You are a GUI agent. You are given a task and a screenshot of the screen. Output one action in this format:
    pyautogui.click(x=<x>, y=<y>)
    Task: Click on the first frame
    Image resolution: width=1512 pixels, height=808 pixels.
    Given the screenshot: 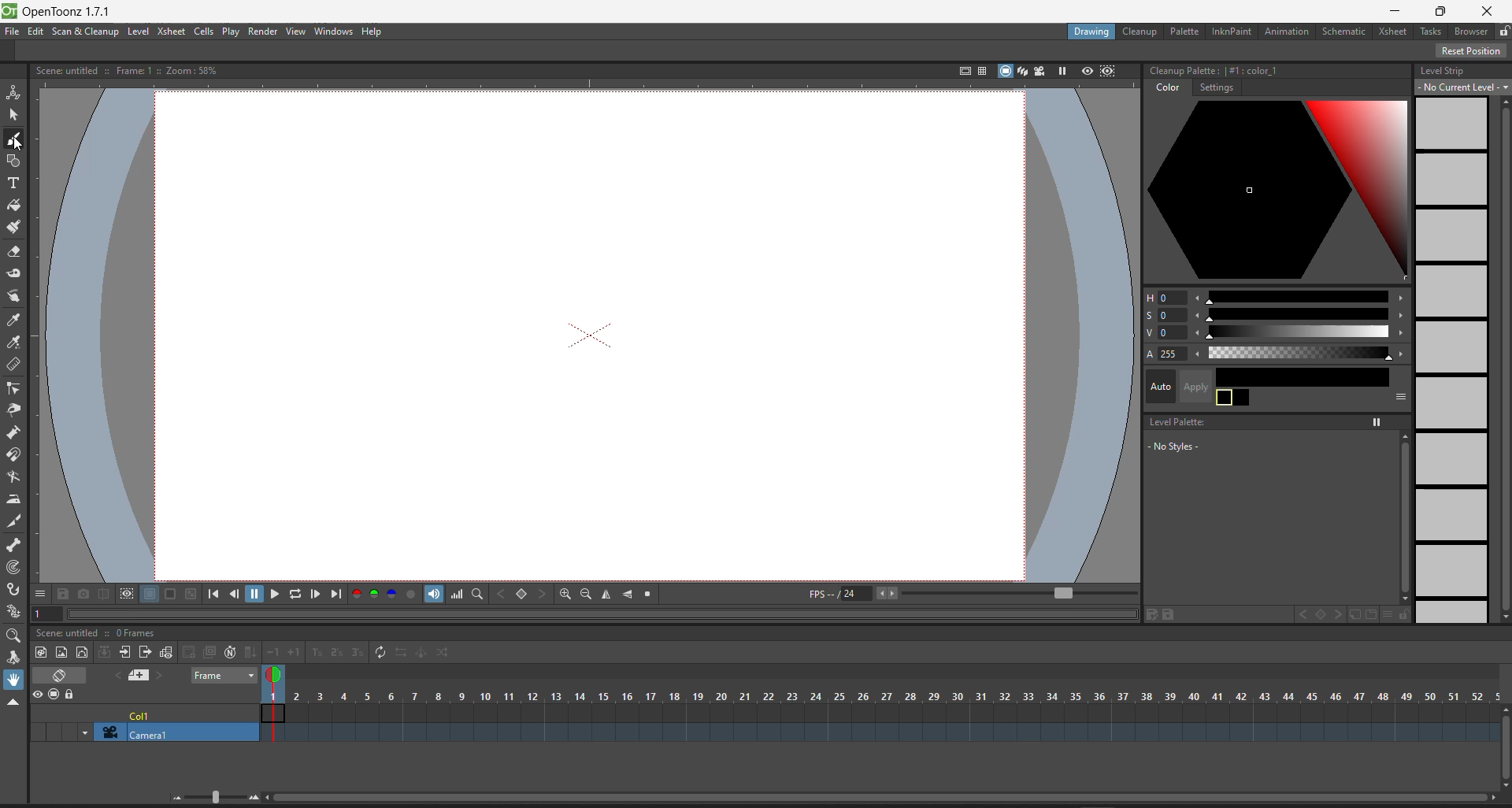 What is the action you would take?
    pyautogui.click(x=213, y=595)
    